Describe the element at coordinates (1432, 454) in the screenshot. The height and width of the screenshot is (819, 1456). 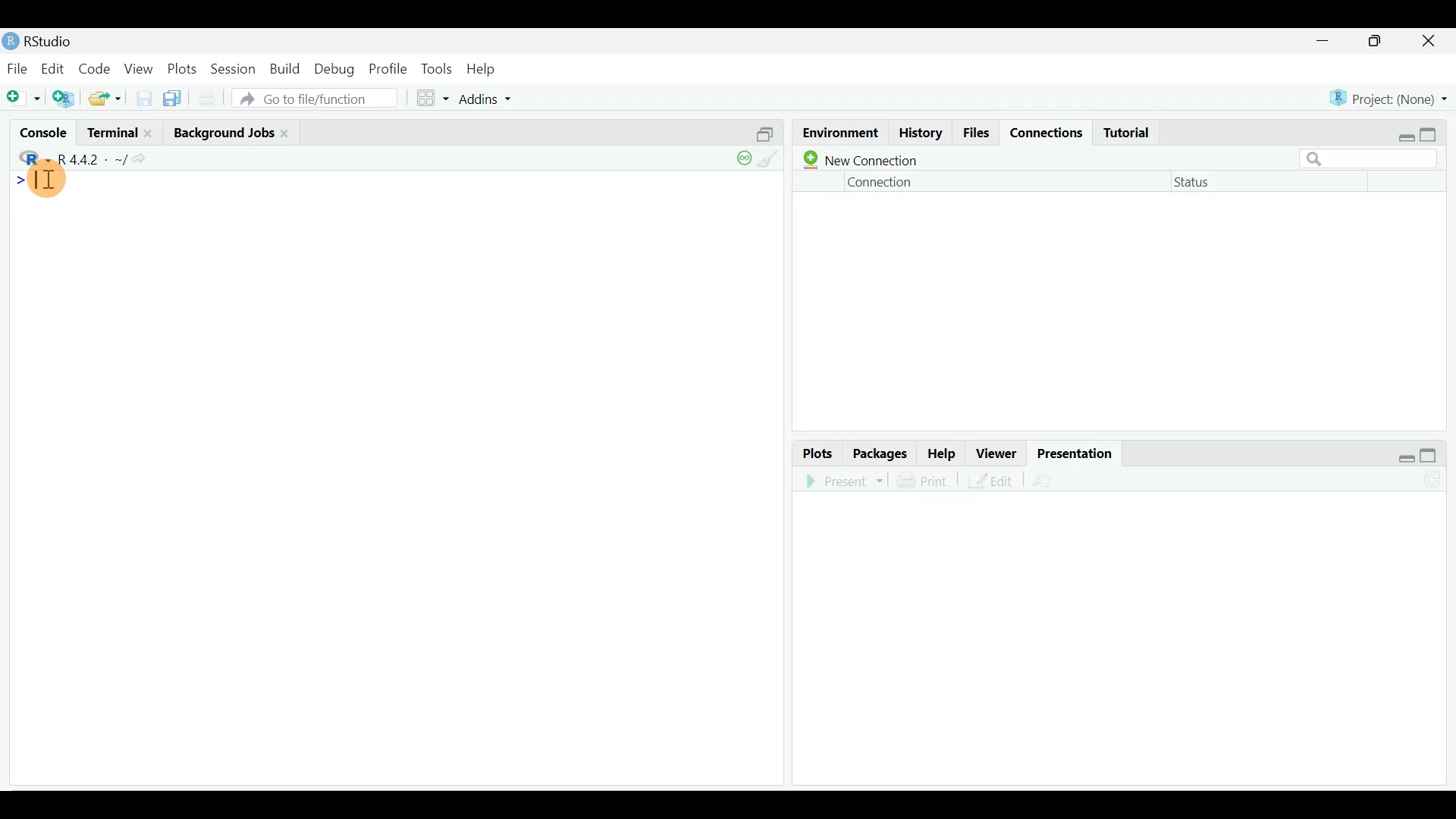
I see `maximize` at that location.